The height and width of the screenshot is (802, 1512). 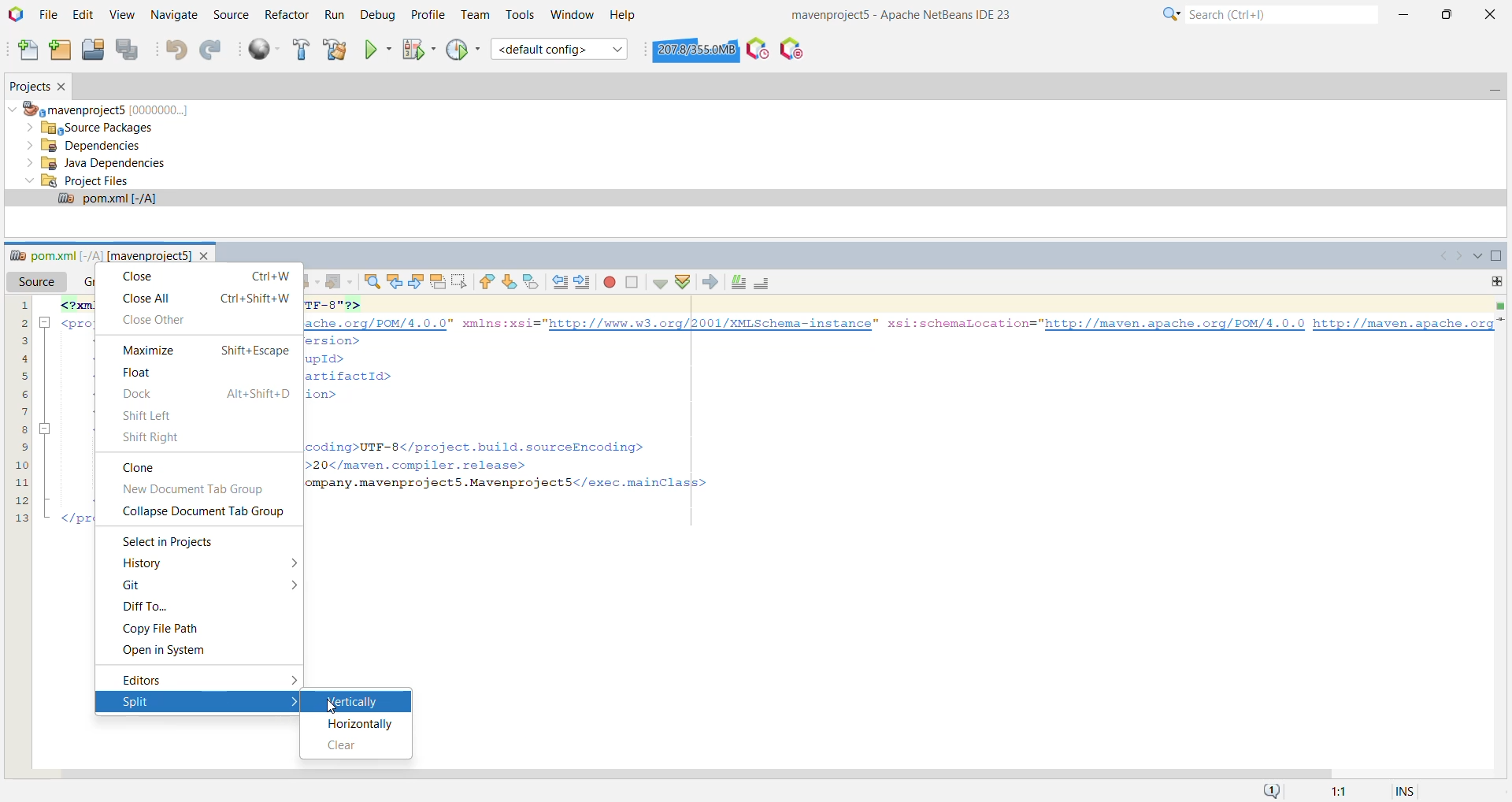 What do you see at coordinates (286, 13) in the screenshot?
I see `Refactor` at bounding box center [286, 13].